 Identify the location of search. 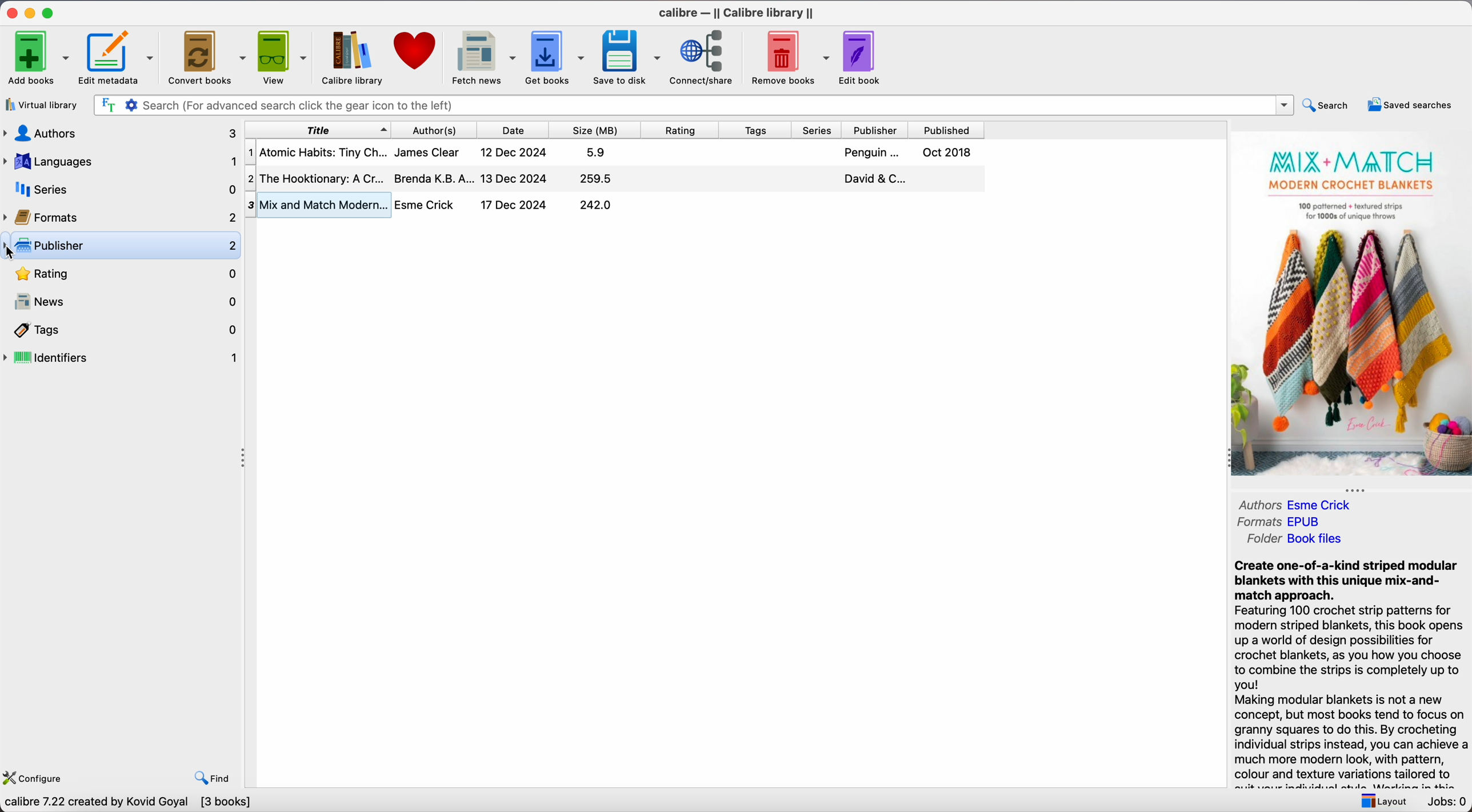
(1327, 104).